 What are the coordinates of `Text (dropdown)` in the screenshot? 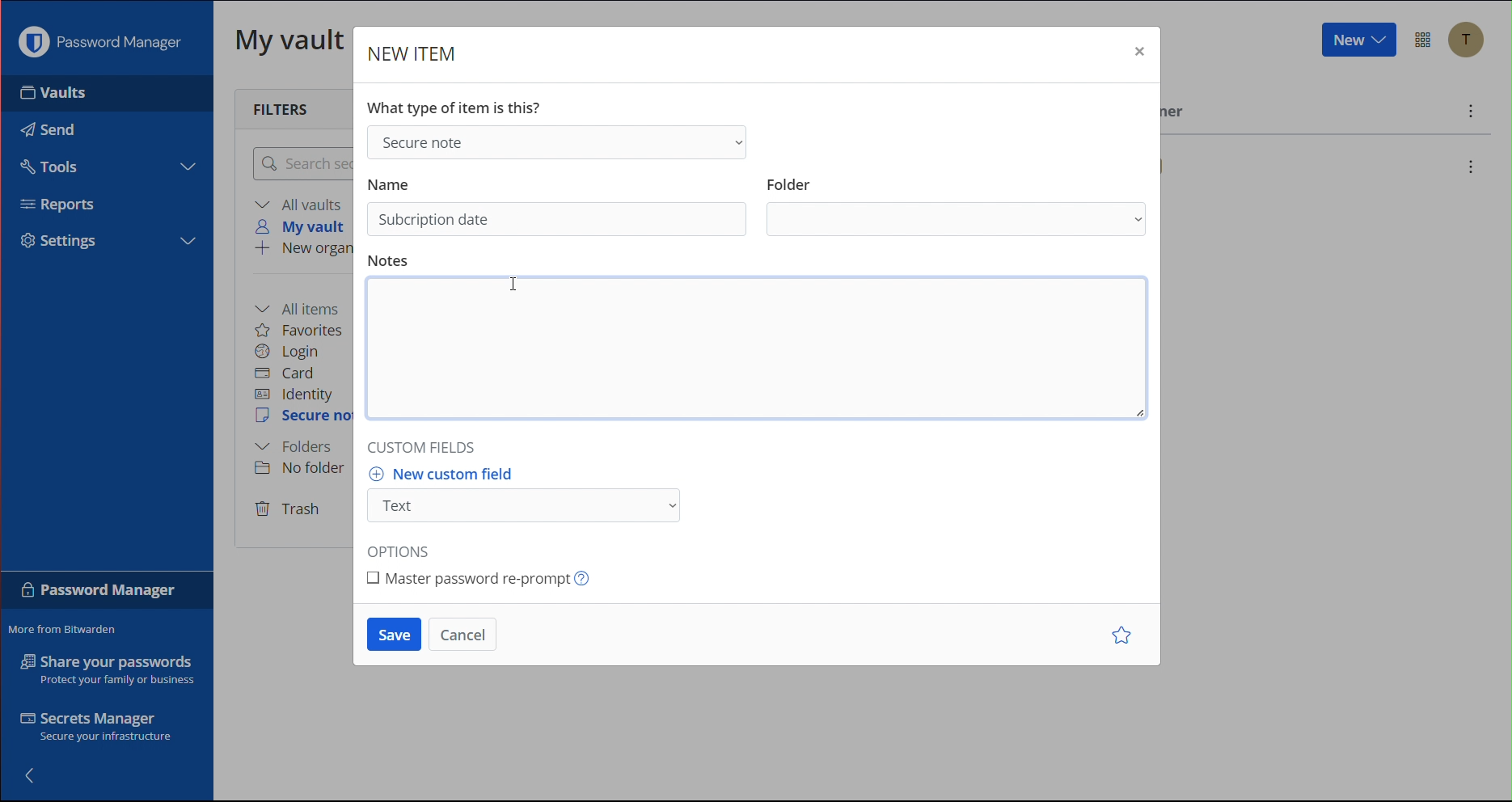 It's located at (529, 506).